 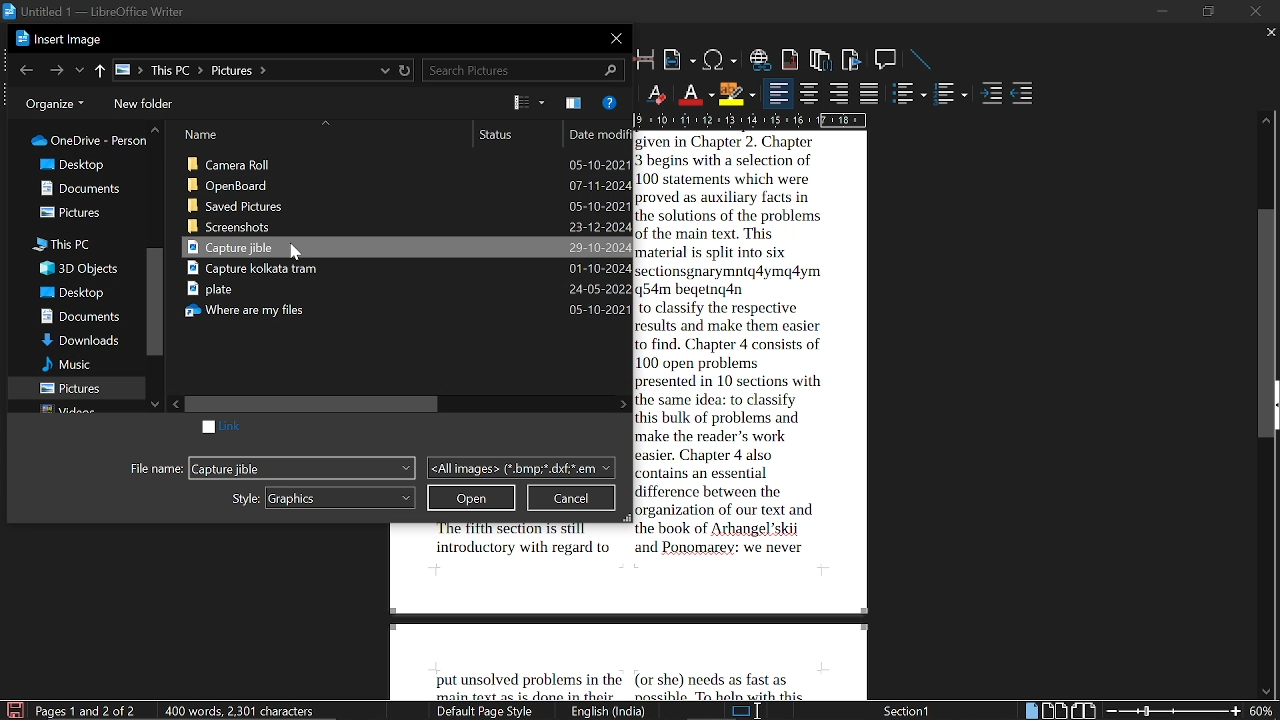 What do you see at coordinates (78, 294) in the screenshot?
I see `desktop` at bounding box center [78, 294].